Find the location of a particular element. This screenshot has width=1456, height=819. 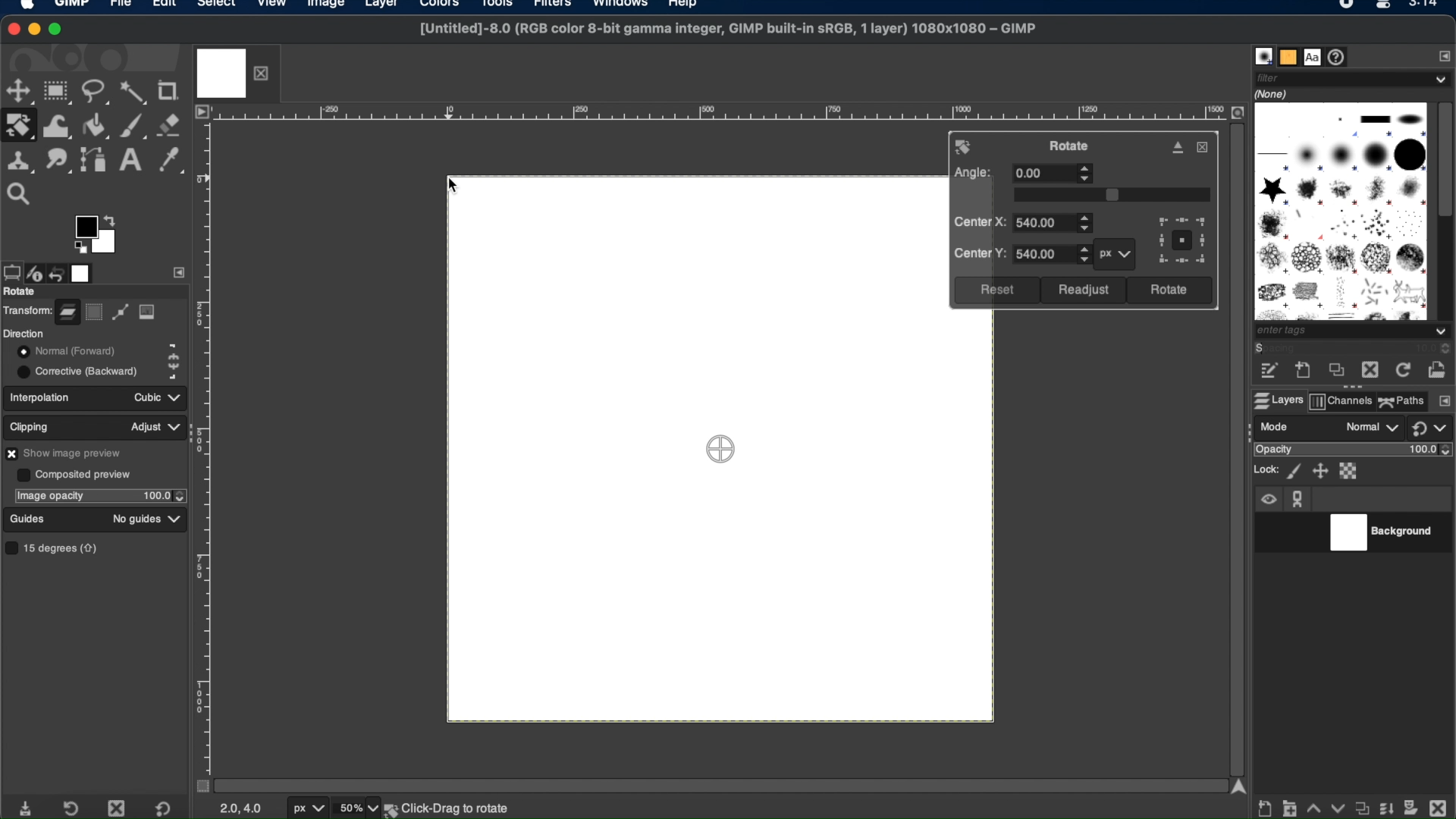

close is located at coordinates (1203, 147).